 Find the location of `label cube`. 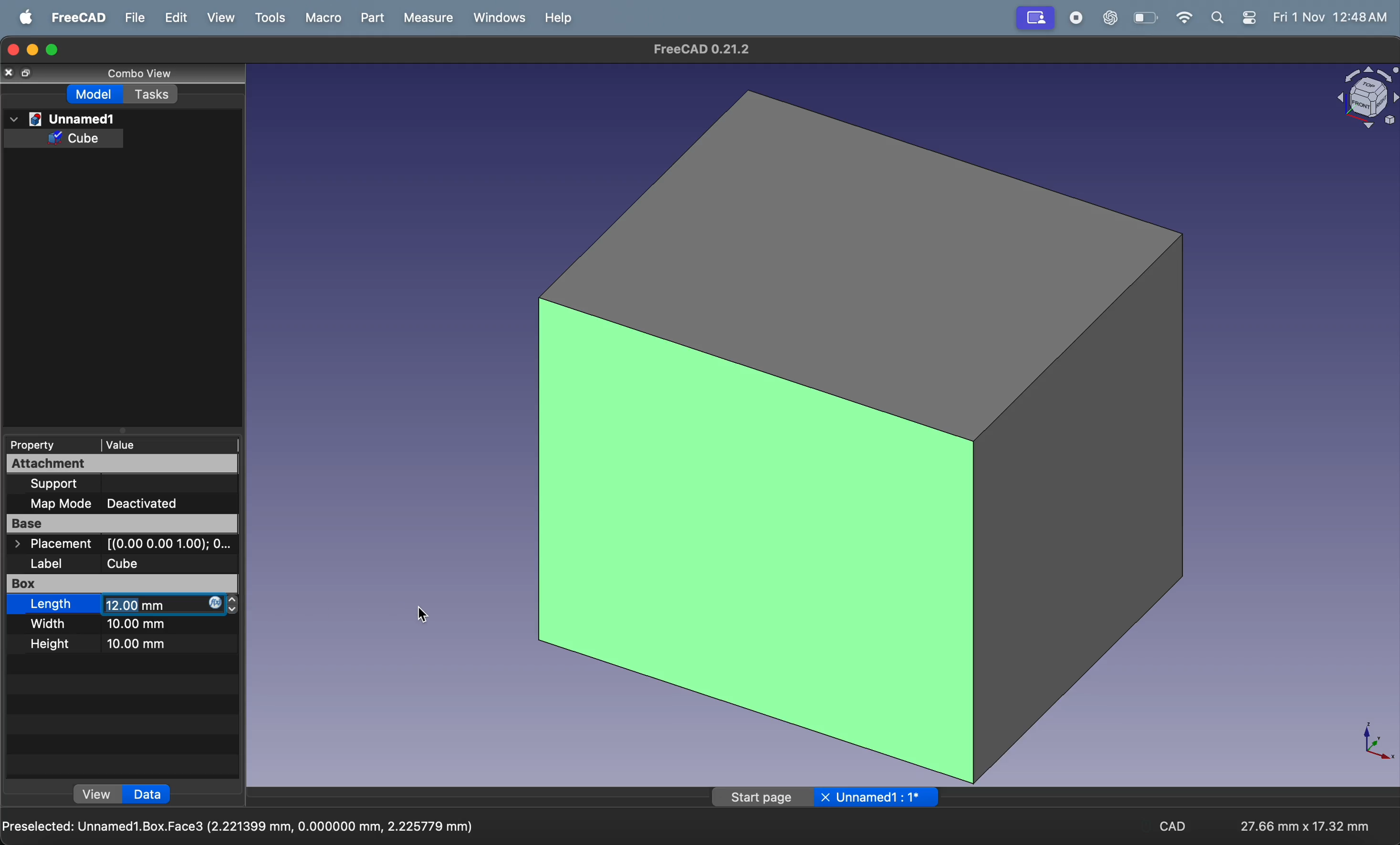

label cube is located at coordinates (105, 563).